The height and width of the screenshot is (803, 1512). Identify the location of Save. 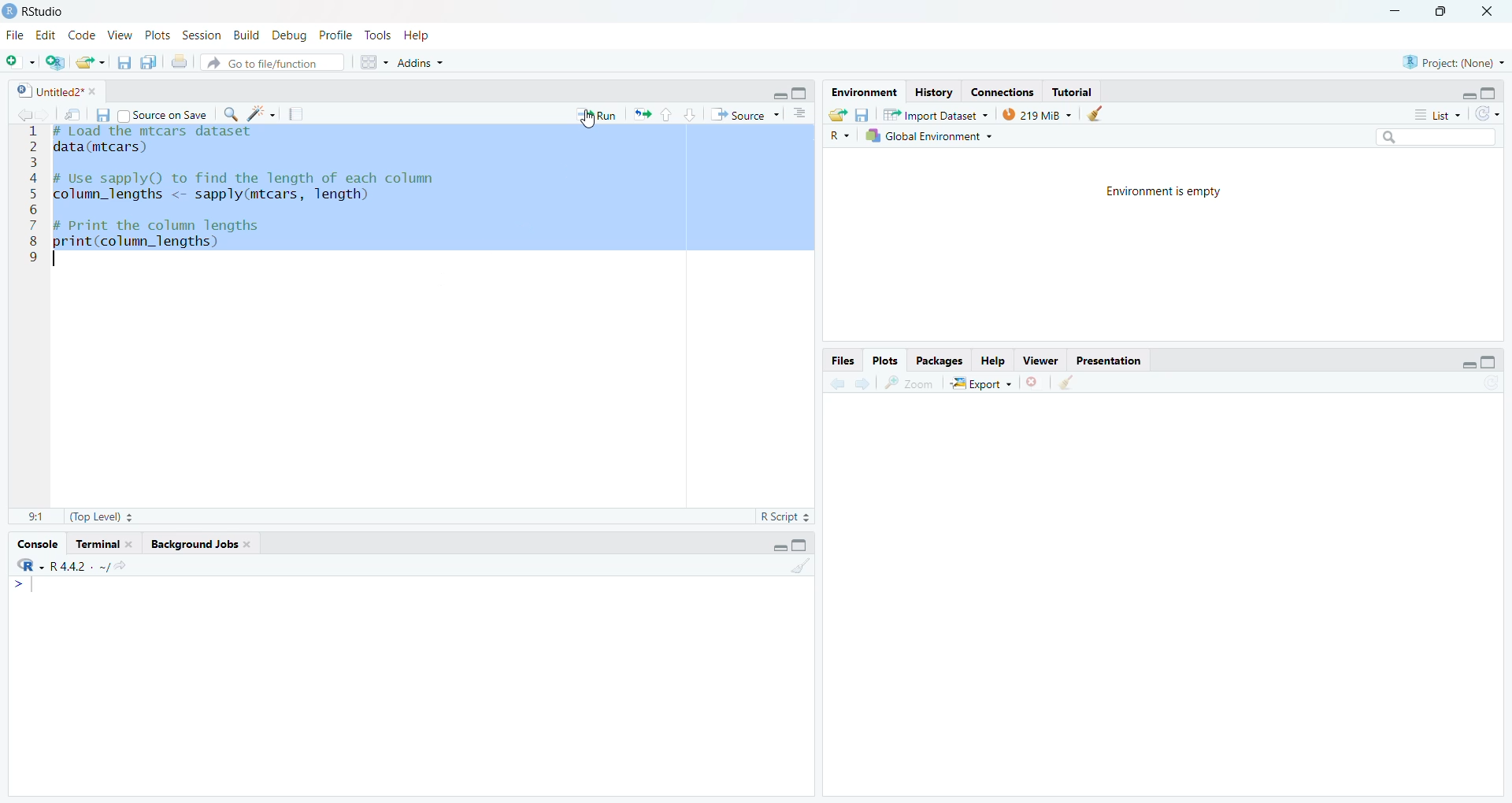
(102, 115).